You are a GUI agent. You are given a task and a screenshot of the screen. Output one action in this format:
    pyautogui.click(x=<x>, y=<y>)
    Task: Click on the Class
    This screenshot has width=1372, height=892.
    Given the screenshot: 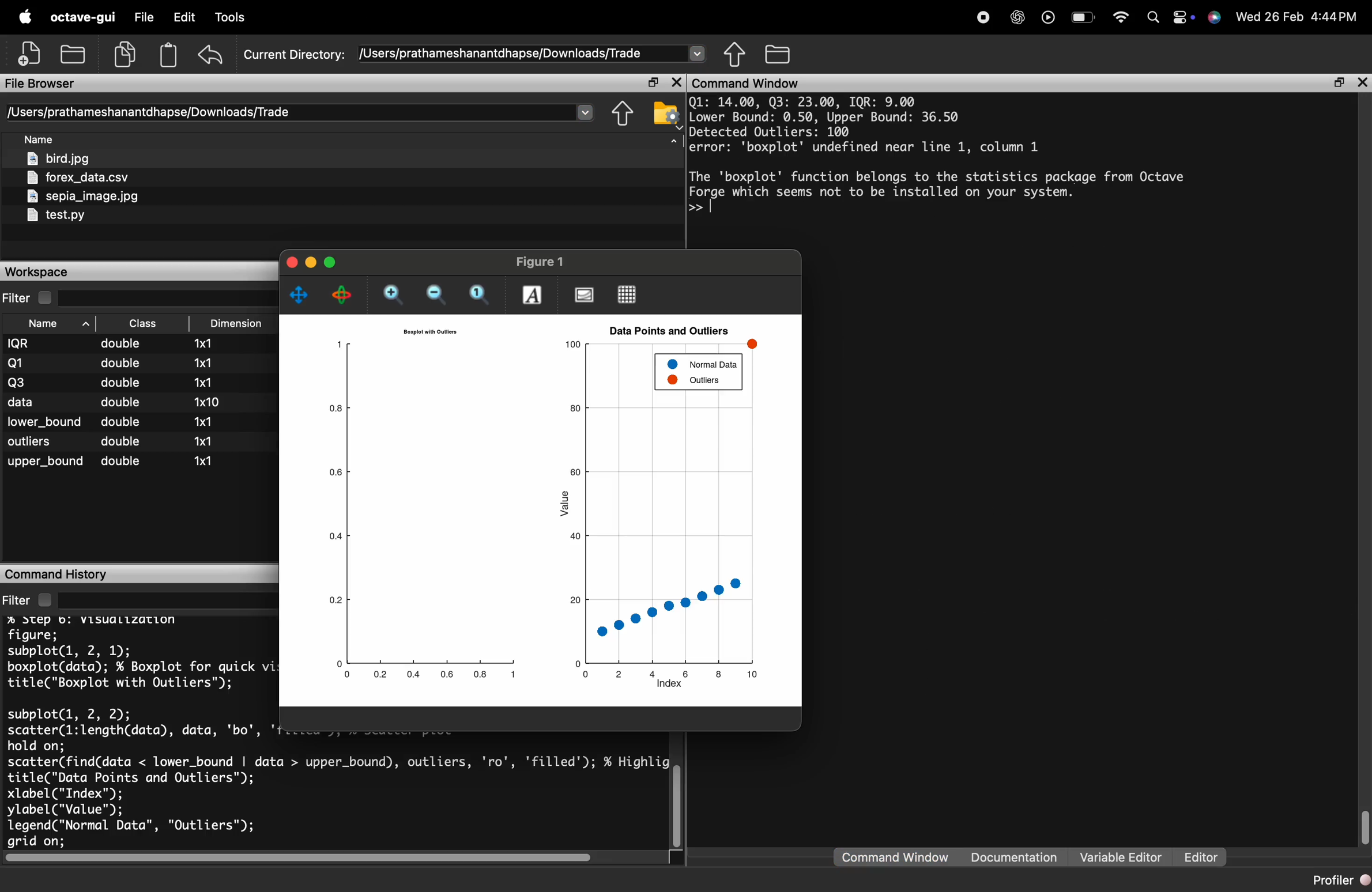 What is the action you would take?
    pyautogui.click(x=142, y=323)
    